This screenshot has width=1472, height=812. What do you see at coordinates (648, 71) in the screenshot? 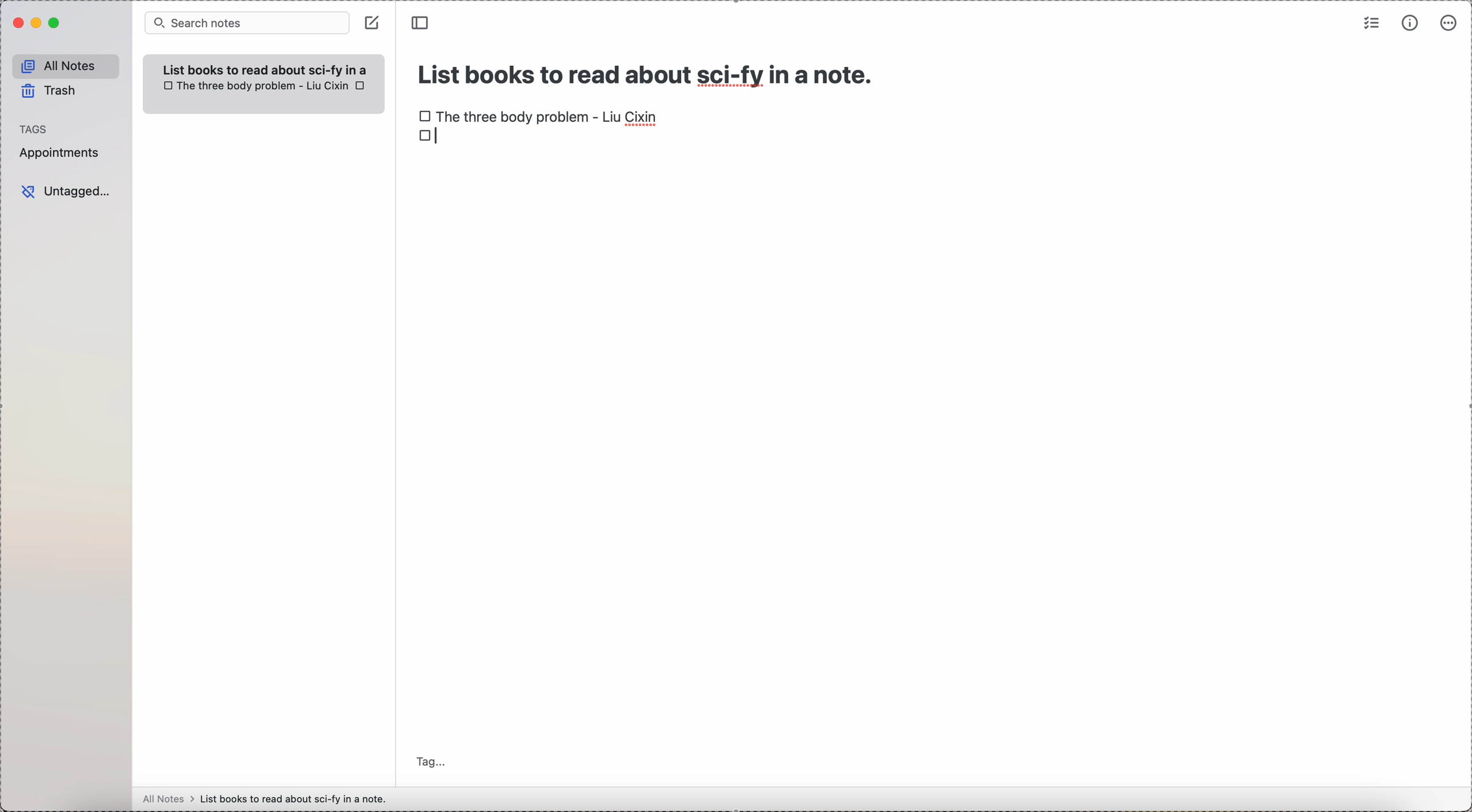
I see `title: List books to read about sci-fy in a note.` at bounding box center [648, 71].